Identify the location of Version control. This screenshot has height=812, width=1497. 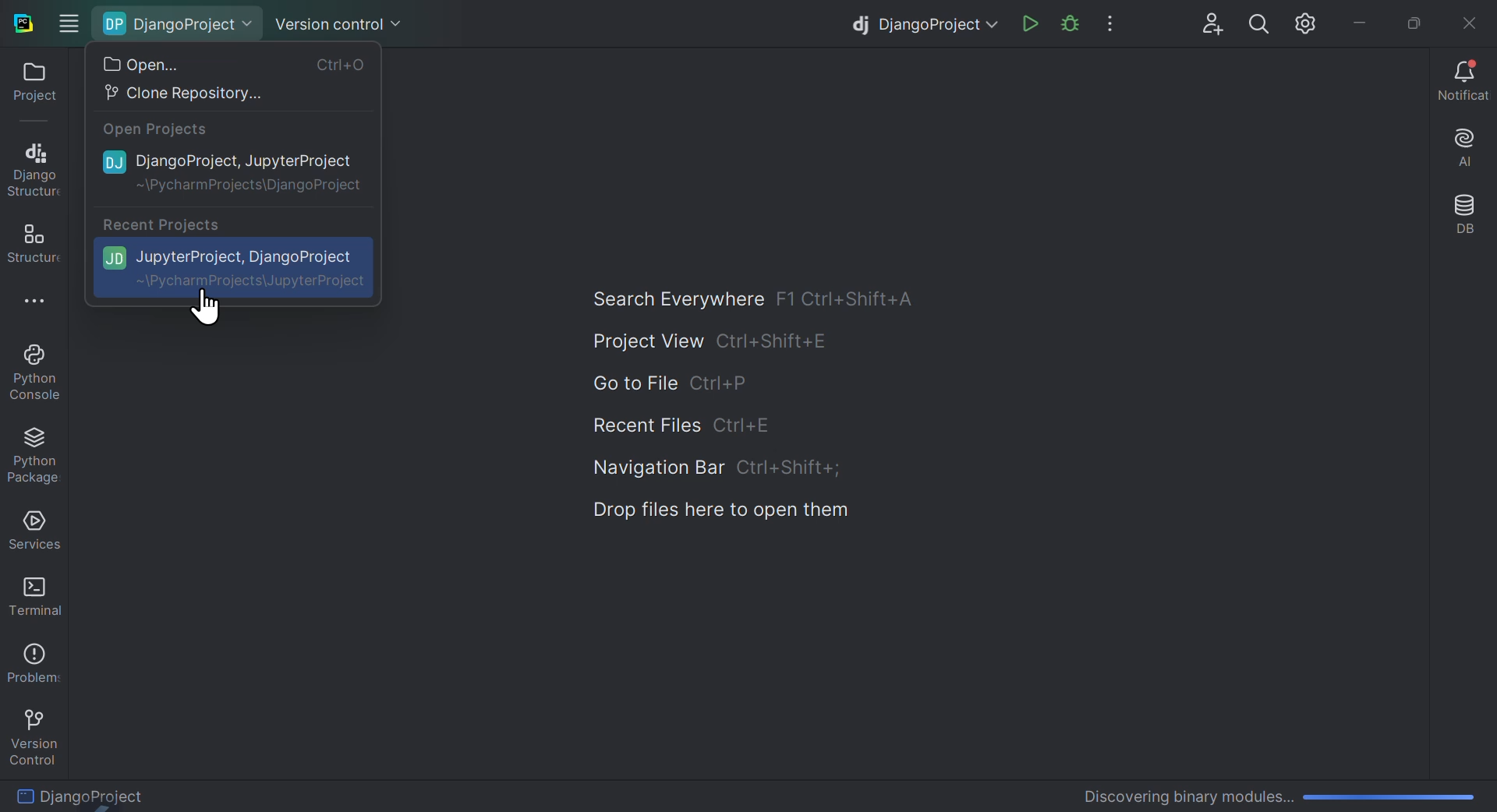
(340, 19).